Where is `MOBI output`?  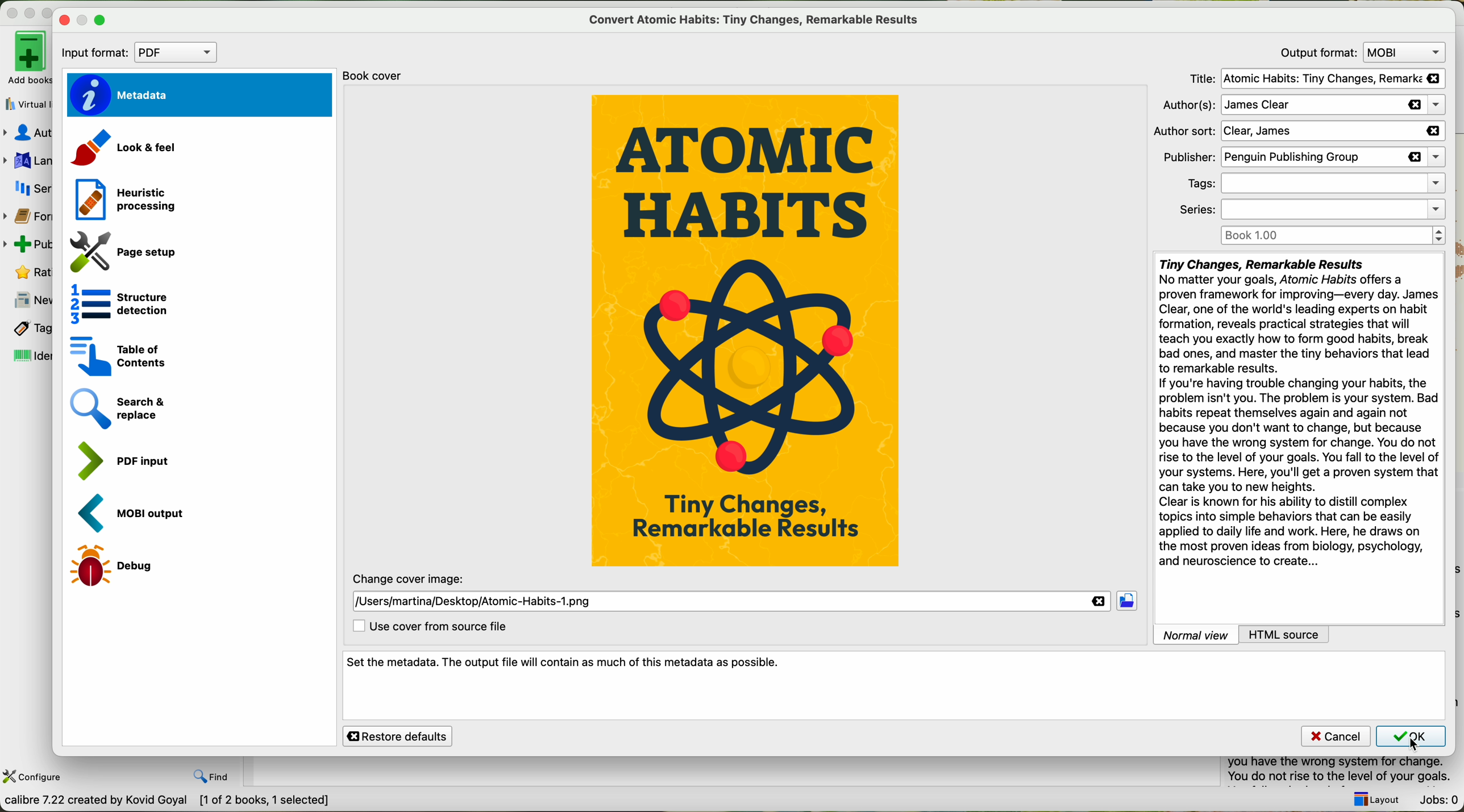 MOBI output is located at coordinates (138, 514).